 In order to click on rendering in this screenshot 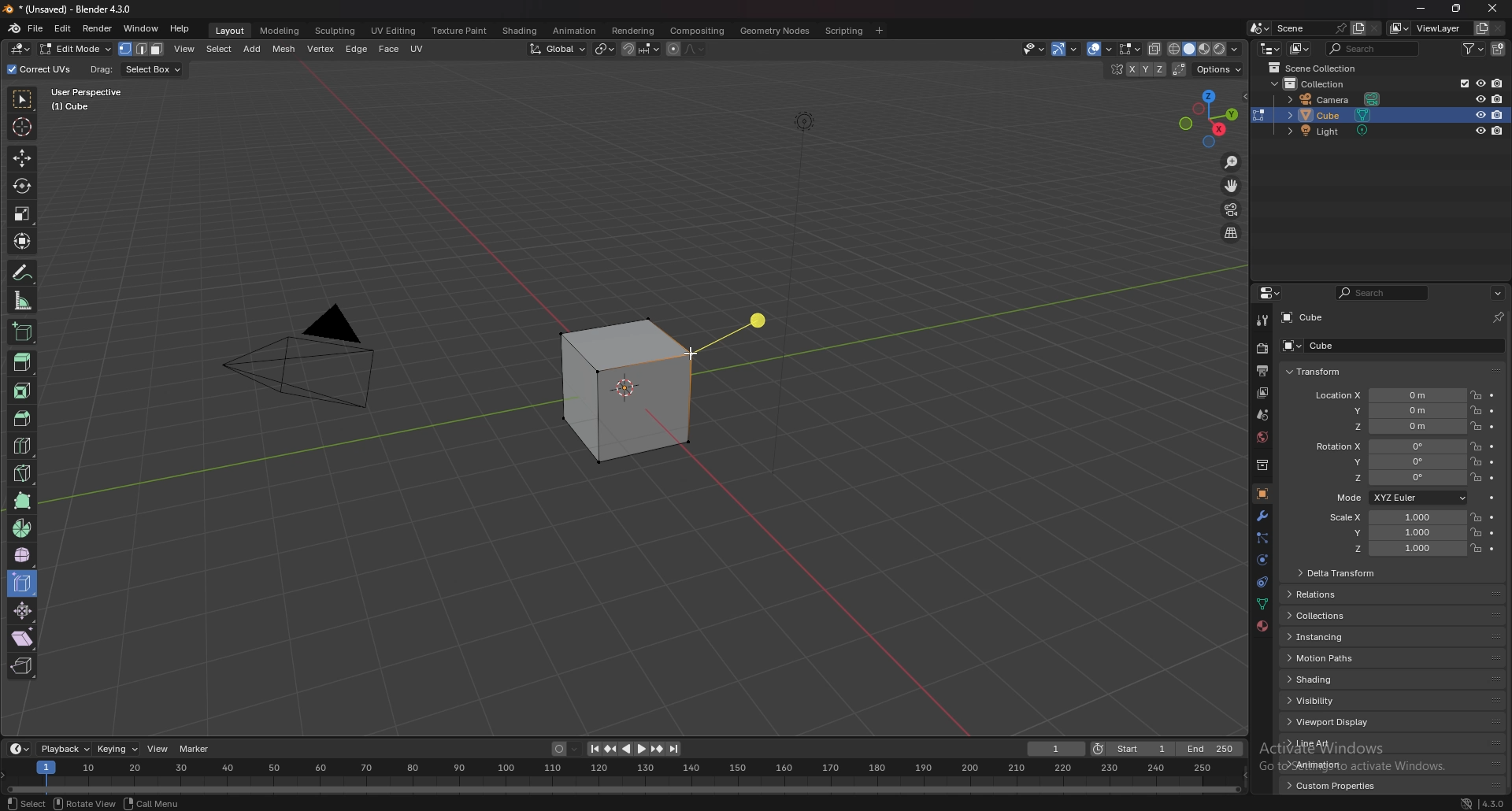, I will do `click(634, 31)`.